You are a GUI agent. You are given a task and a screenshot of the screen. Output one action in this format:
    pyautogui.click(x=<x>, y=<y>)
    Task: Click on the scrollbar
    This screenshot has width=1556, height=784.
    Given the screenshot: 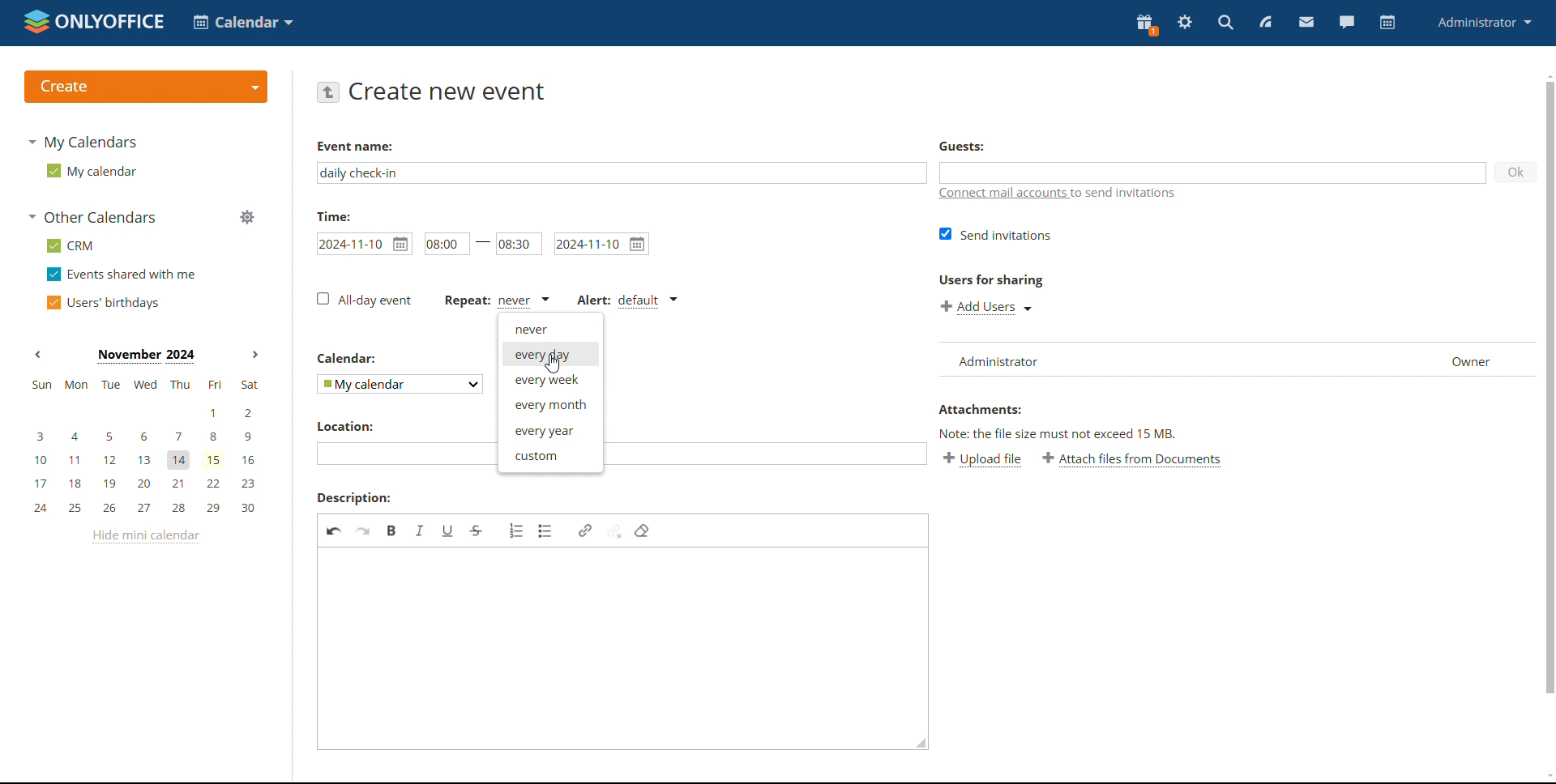 What is the action you would take?
    pyautogui.click(x=1546, y=395)
    